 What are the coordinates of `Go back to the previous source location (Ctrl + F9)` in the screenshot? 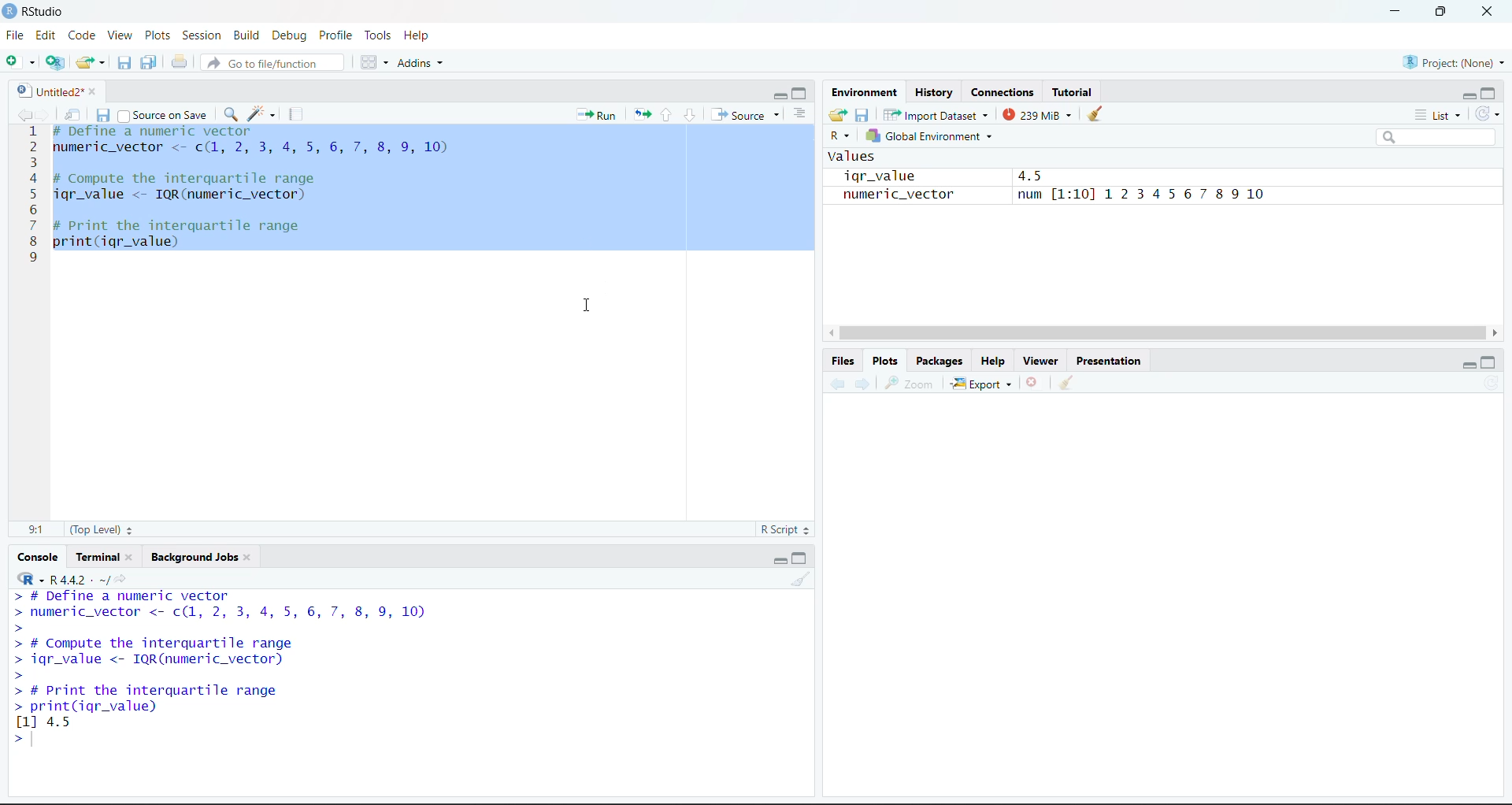 It's located at (23, 112).